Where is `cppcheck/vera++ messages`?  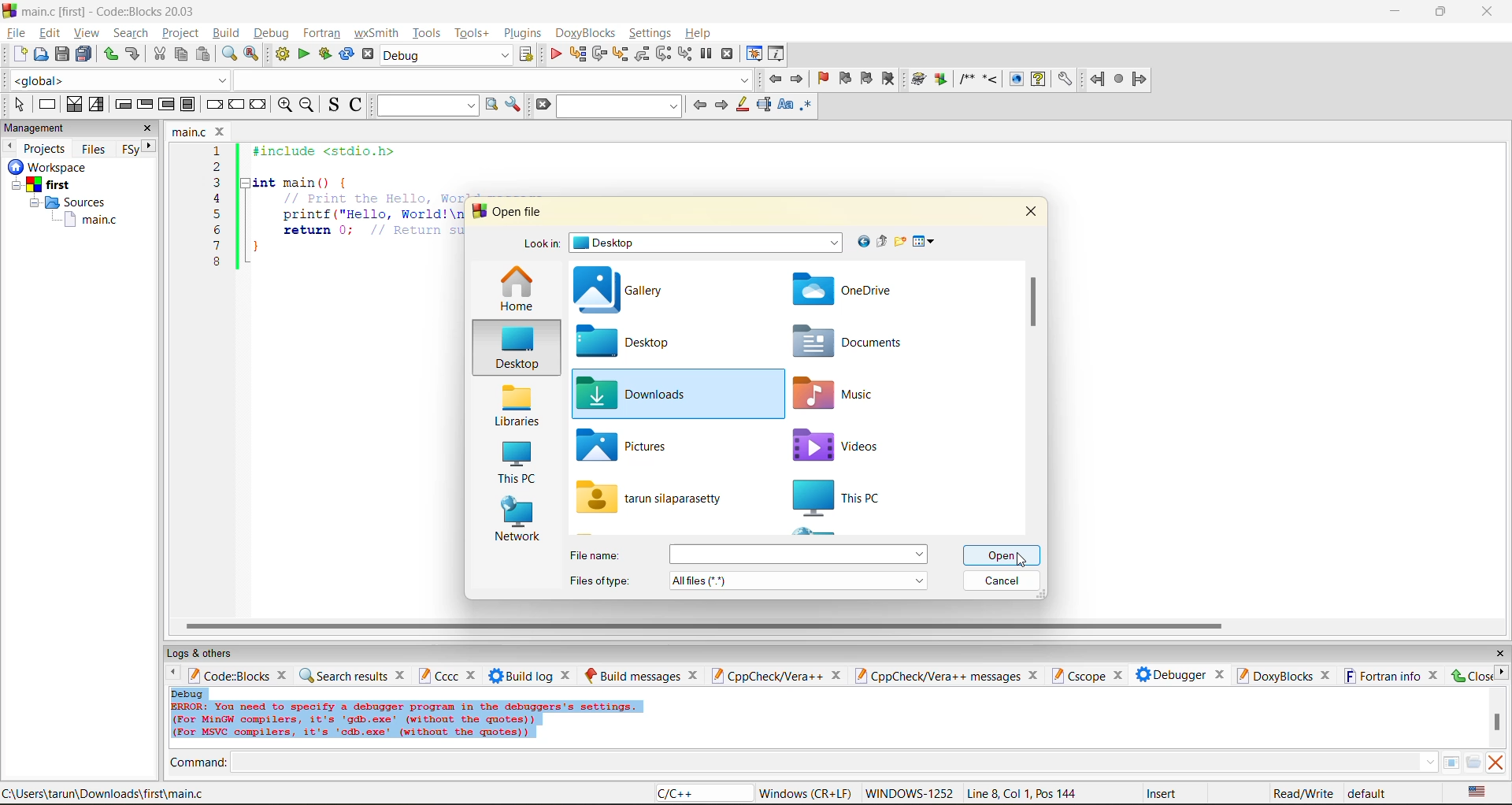 cppcheck/vera++ messages is located at coordinates (936, 676).